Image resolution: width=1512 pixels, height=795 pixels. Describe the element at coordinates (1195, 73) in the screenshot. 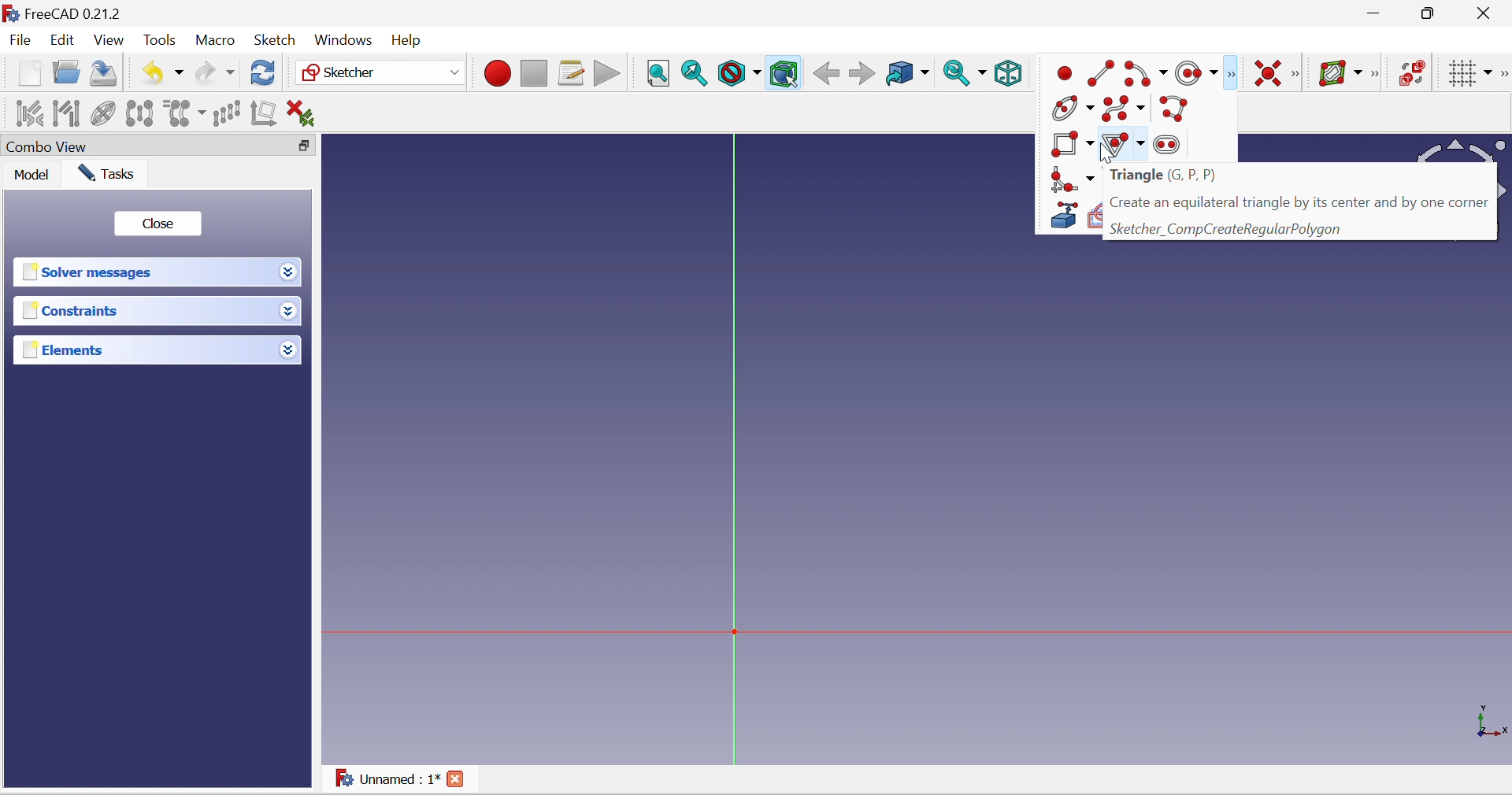

I see `Create circle` at that location.